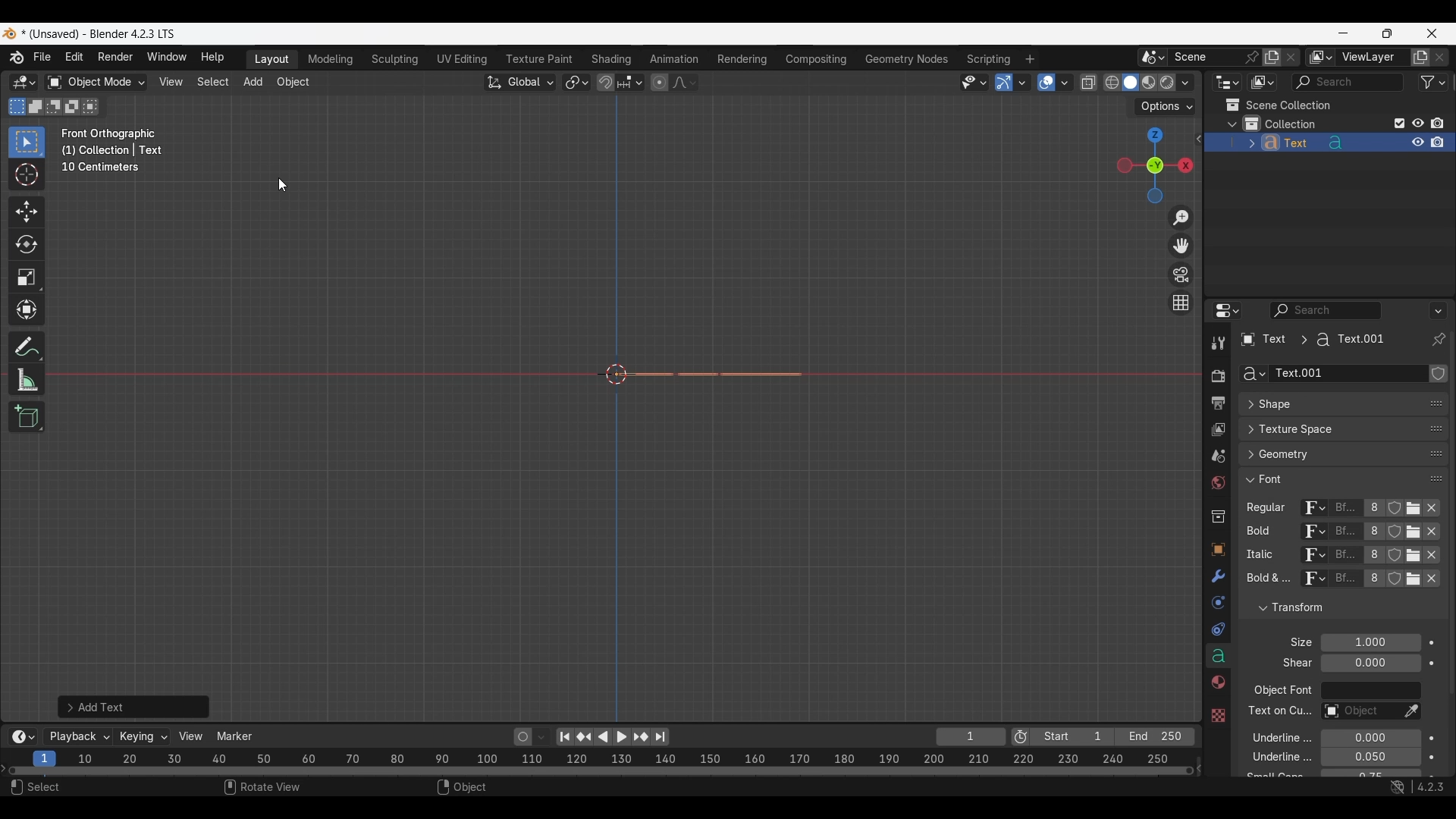  I want to click on Proportional editing objects, so click(659, 82).